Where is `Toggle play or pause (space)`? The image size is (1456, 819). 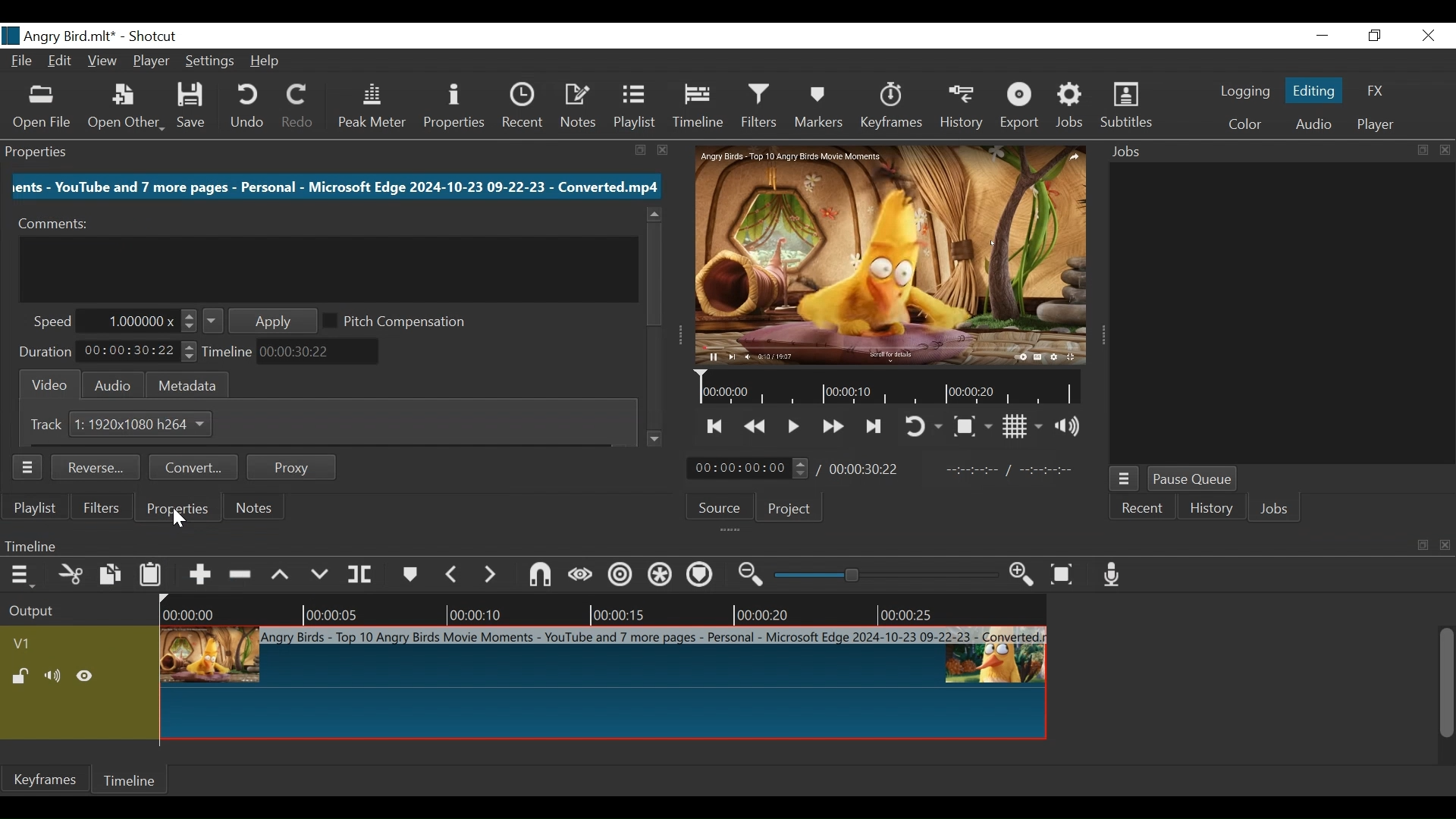
Toggle play or pause (space) is located at coordinates (792, 428).